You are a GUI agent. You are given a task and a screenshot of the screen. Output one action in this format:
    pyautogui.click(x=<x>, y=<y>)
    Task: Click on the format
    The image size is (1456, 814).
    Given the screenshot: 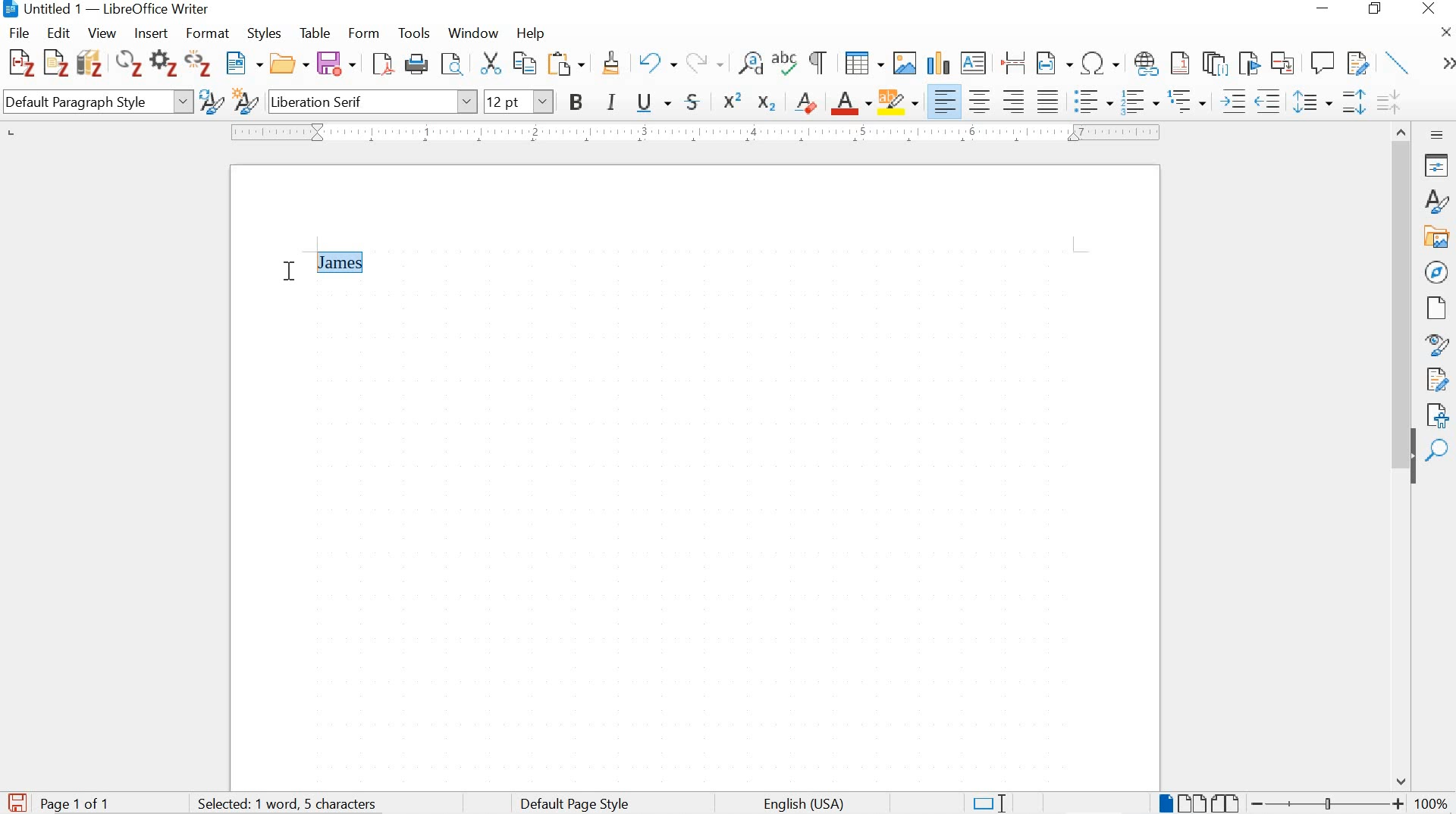 What is the action you would take?
    pyautogui.click(x=209, y=34)
    